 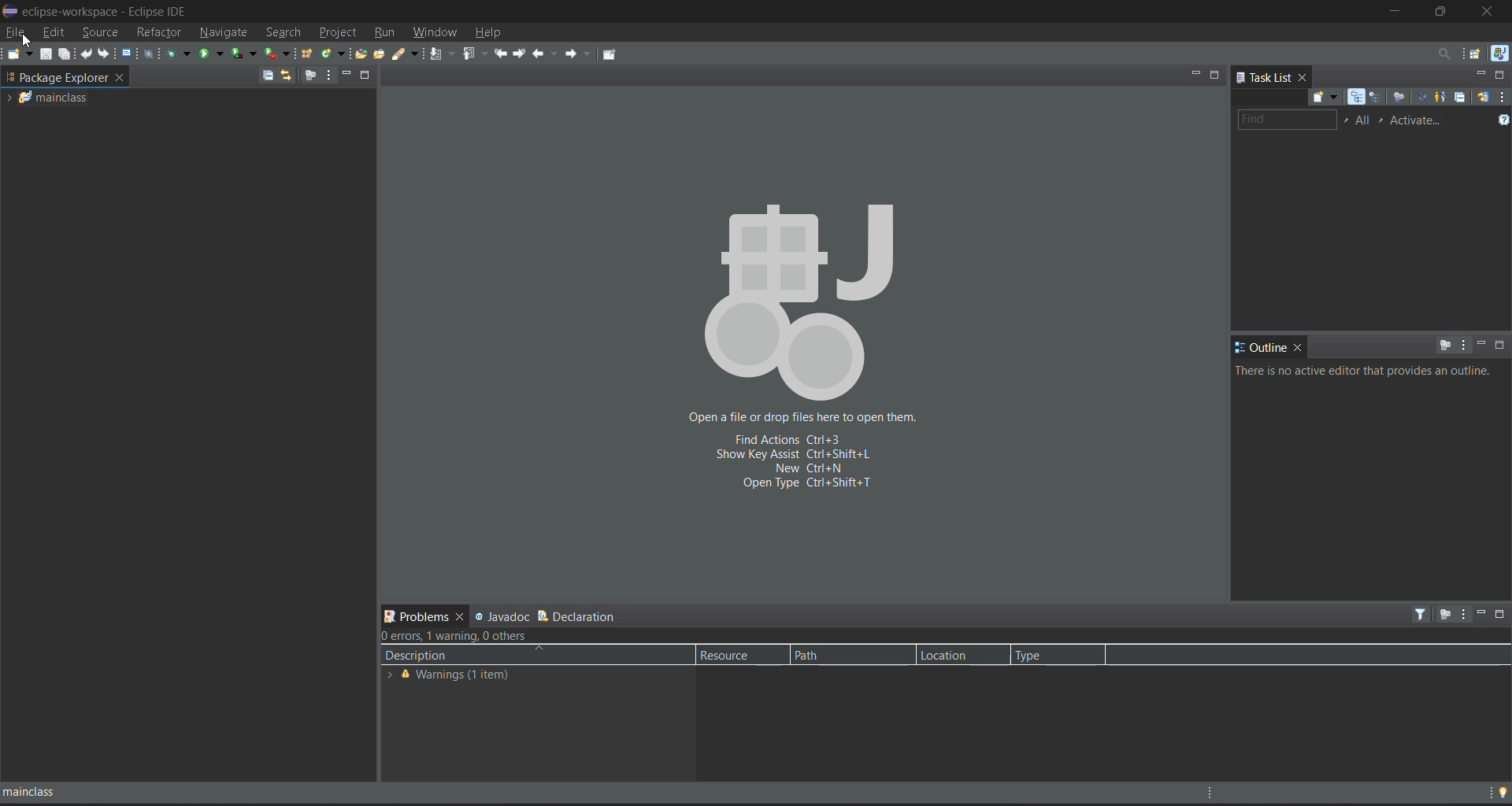 I want to click on minimize, so click(x=1195, y=73).